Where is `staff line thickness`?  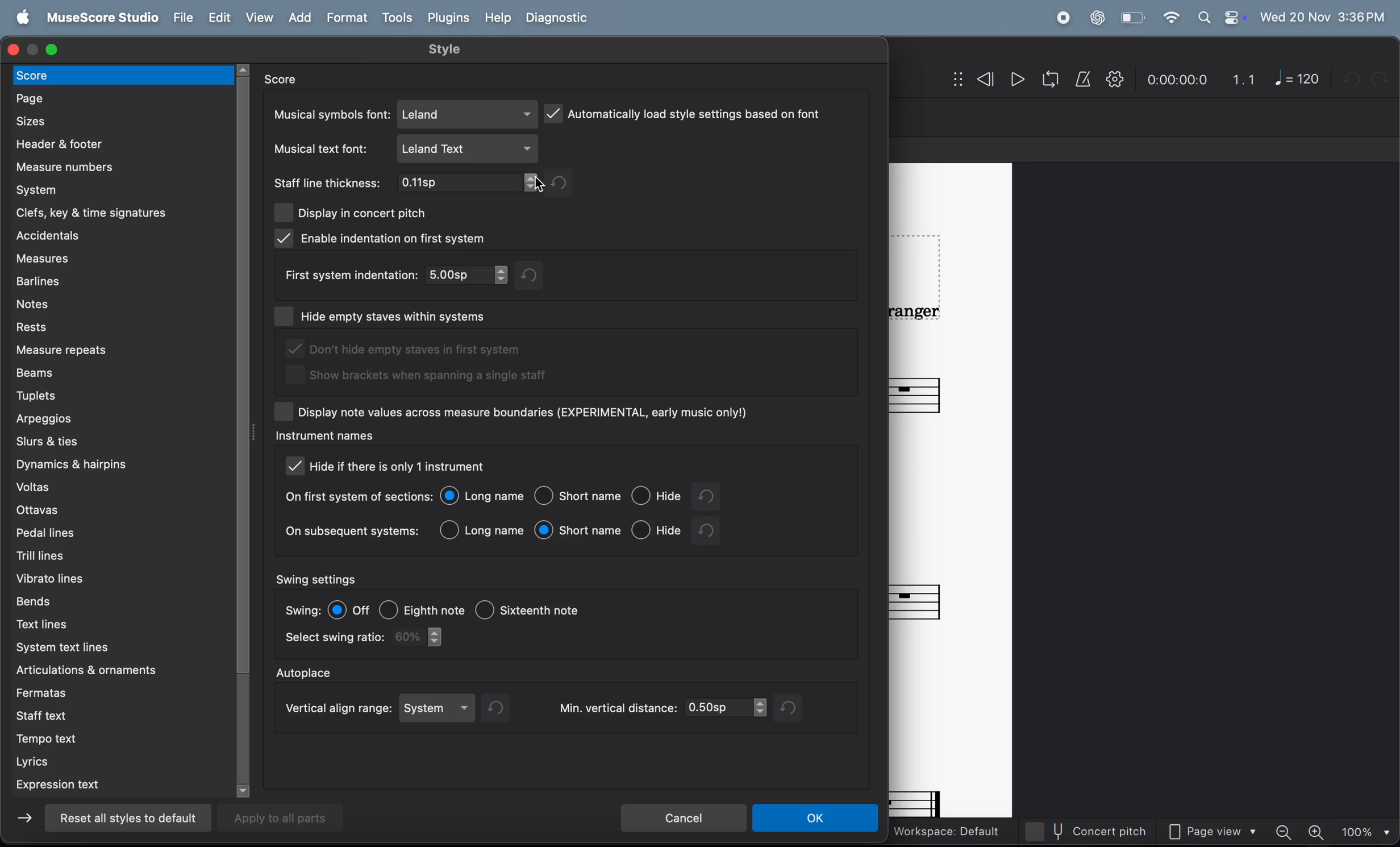
staff line thickness is located at coordinates (328, 183).